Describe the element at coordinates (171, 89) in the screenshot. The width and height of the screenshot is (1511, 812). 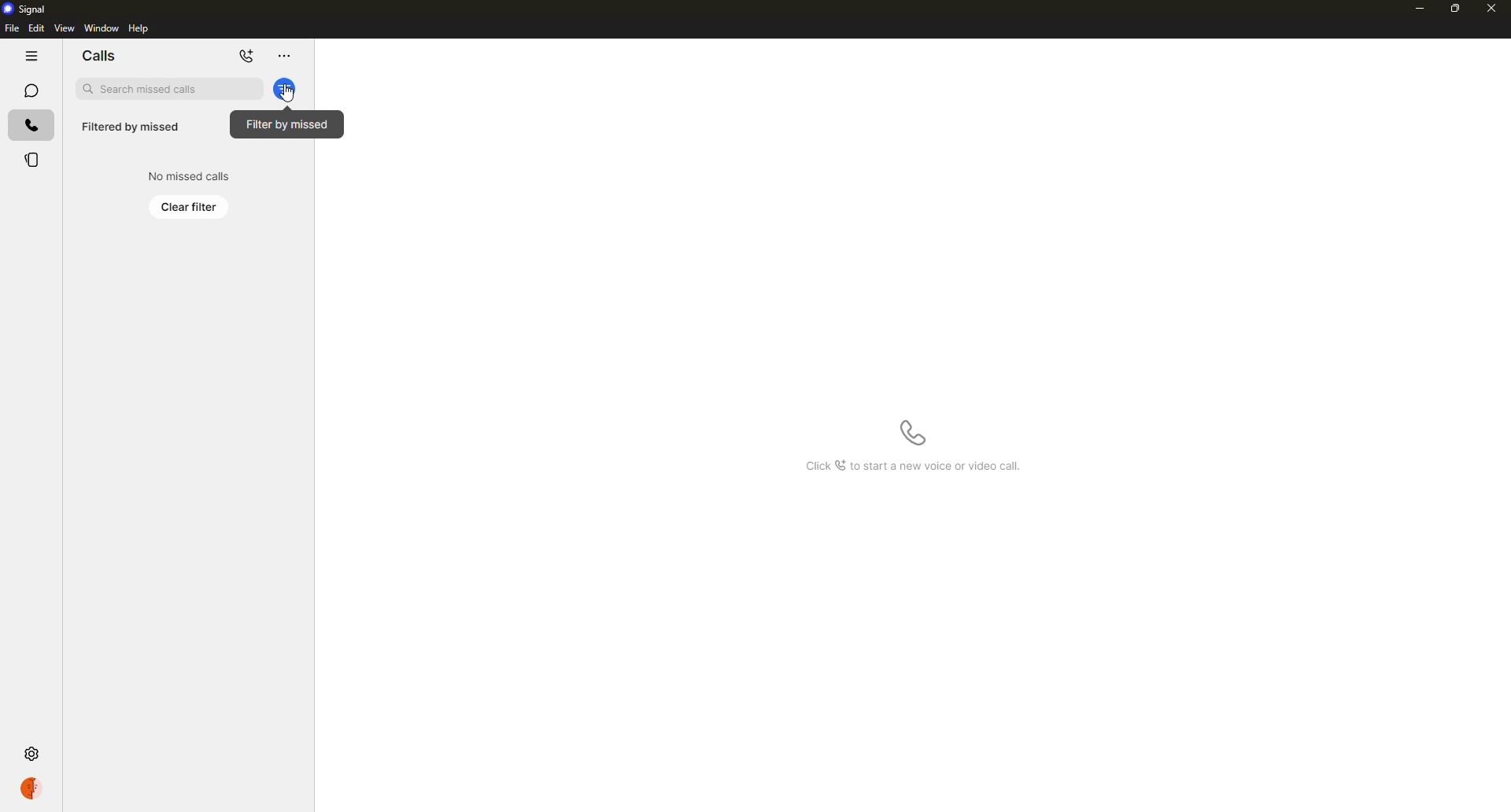
I see `search` at that location.